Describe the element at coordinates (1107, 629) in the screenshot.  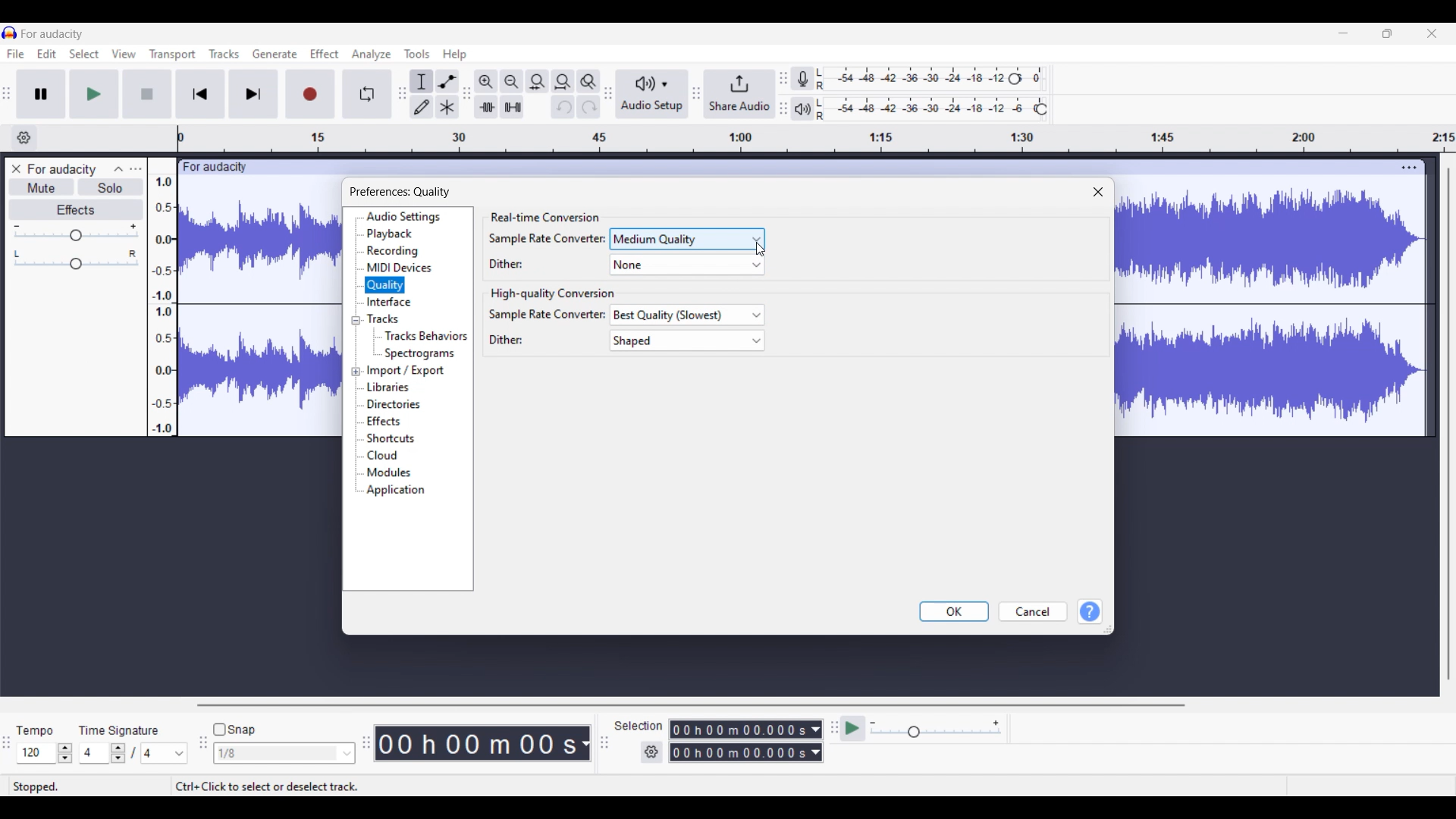
I see `Change dimension` at that location.